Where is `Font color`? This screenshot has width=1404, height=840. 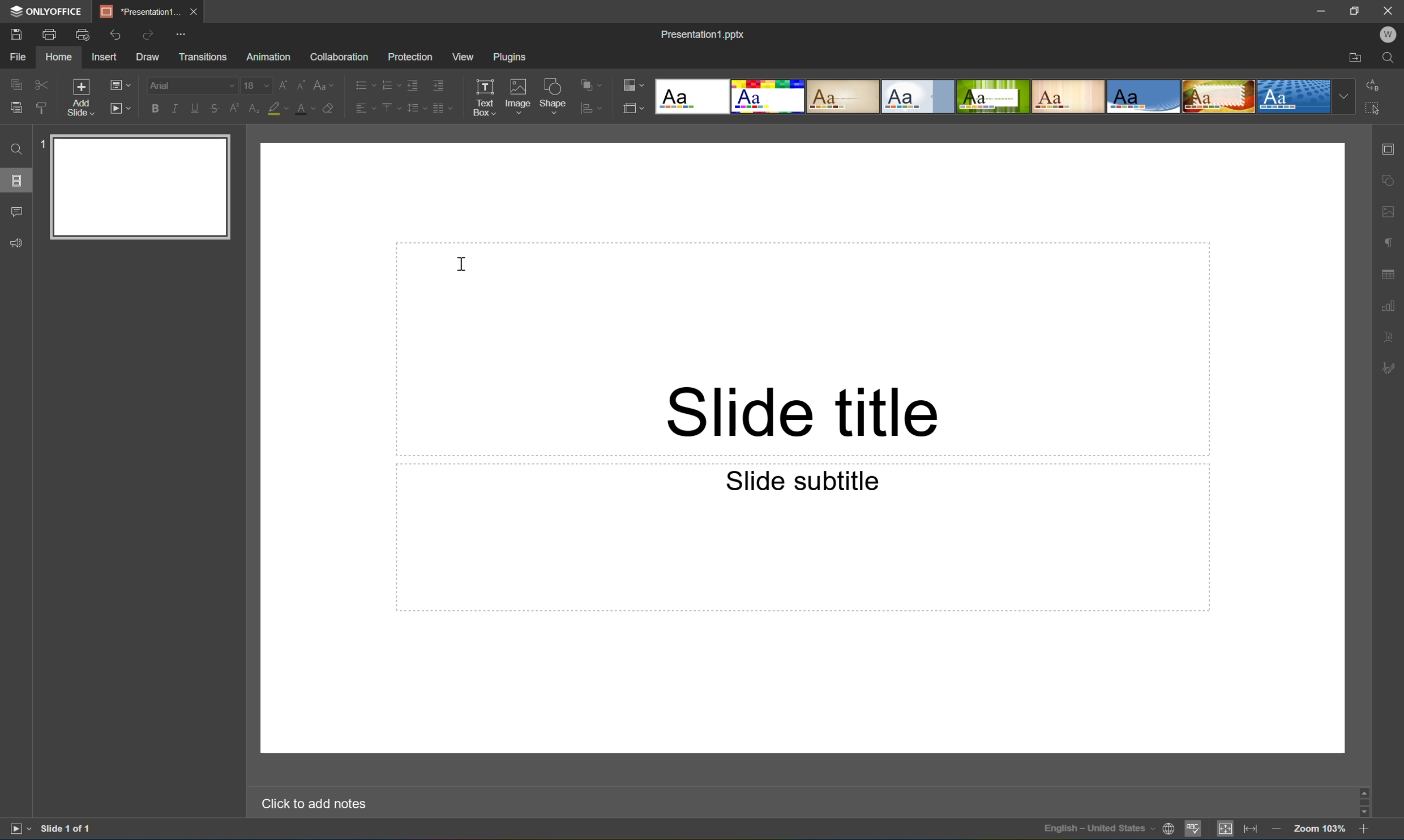 Font color is located at coordinates (304, 110).